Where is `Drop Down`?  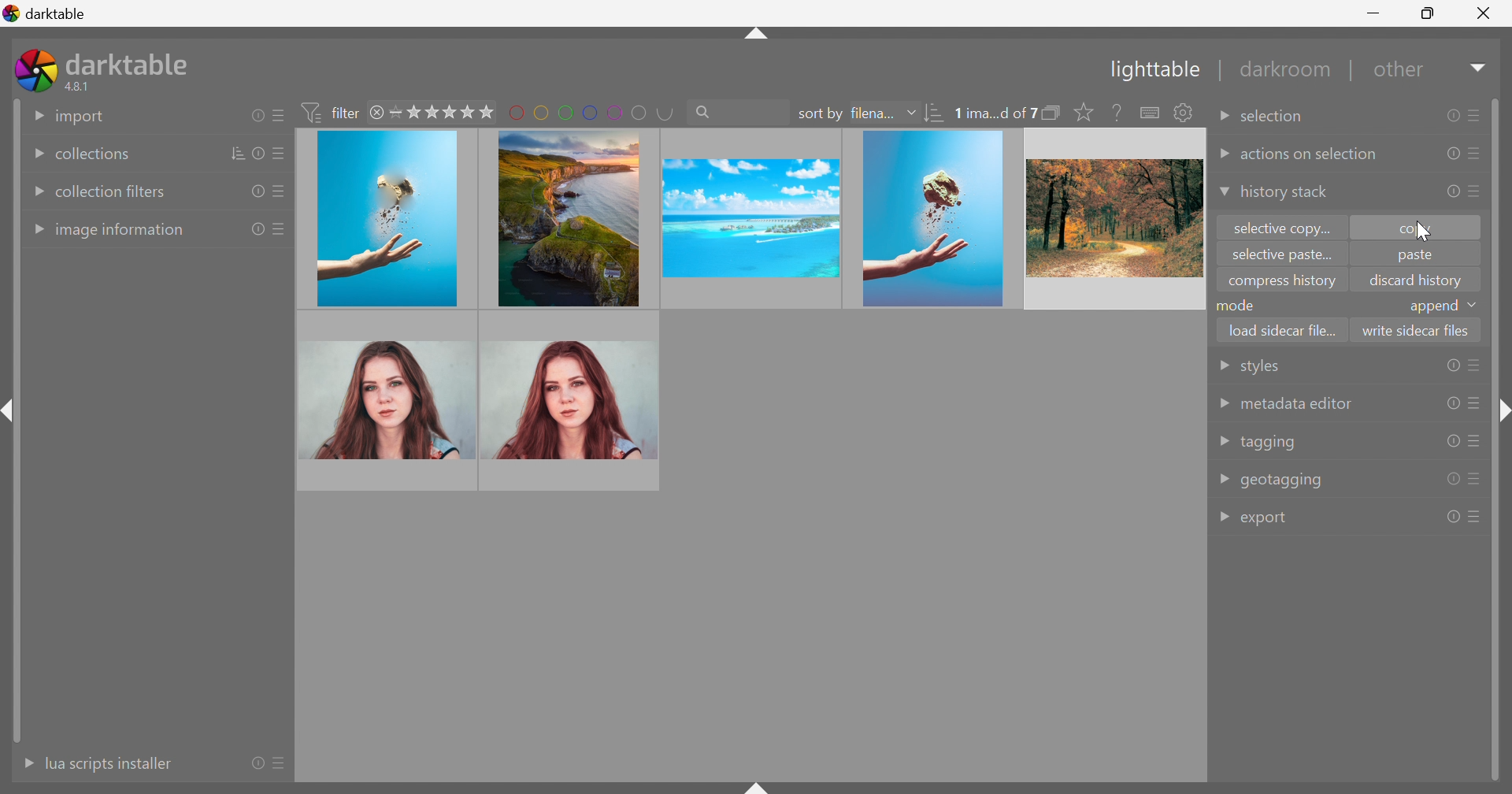
Drop Down is located at coordinates (910, 112).